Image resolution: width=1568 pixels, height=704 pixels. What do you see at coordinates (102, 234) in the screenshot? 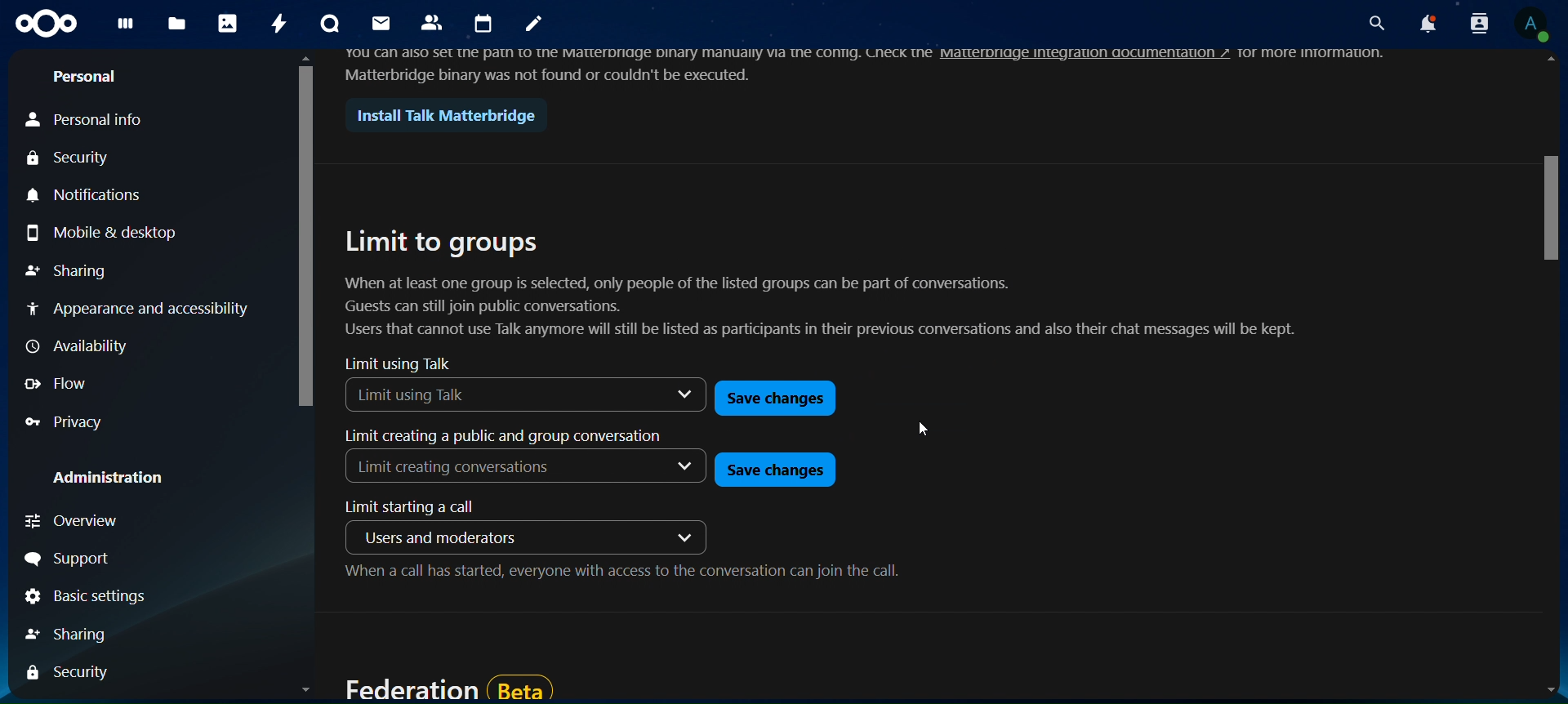
I see `mobile & desktop` at bounding box center [102, 234].